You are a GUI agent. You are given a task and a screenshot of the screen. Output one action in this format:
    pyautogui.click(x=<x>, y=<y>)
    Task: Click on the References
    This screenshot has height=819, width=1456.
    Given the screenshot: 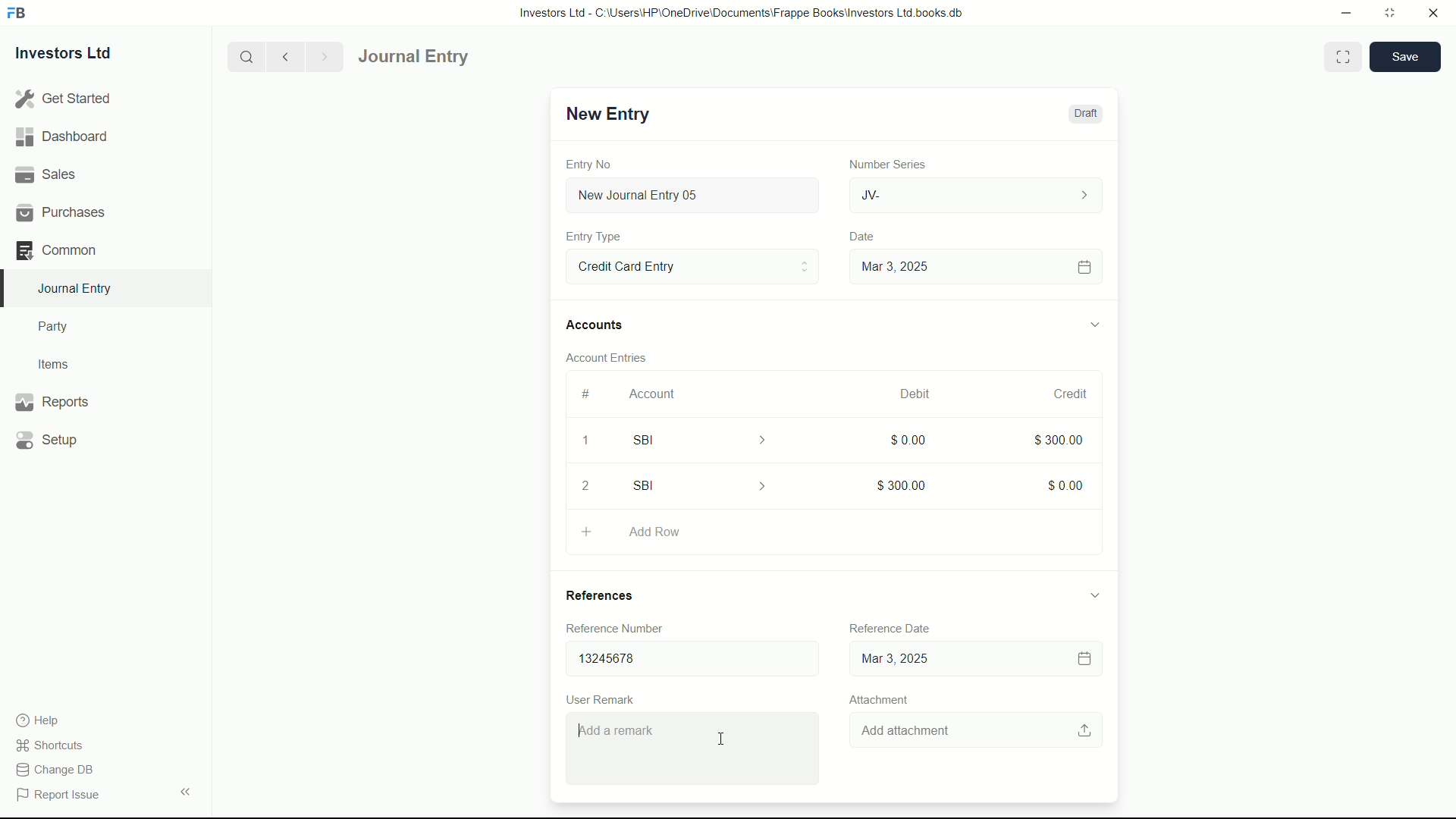 What is the action you would take?
    pyautogui.click(x=614, y=595)
    